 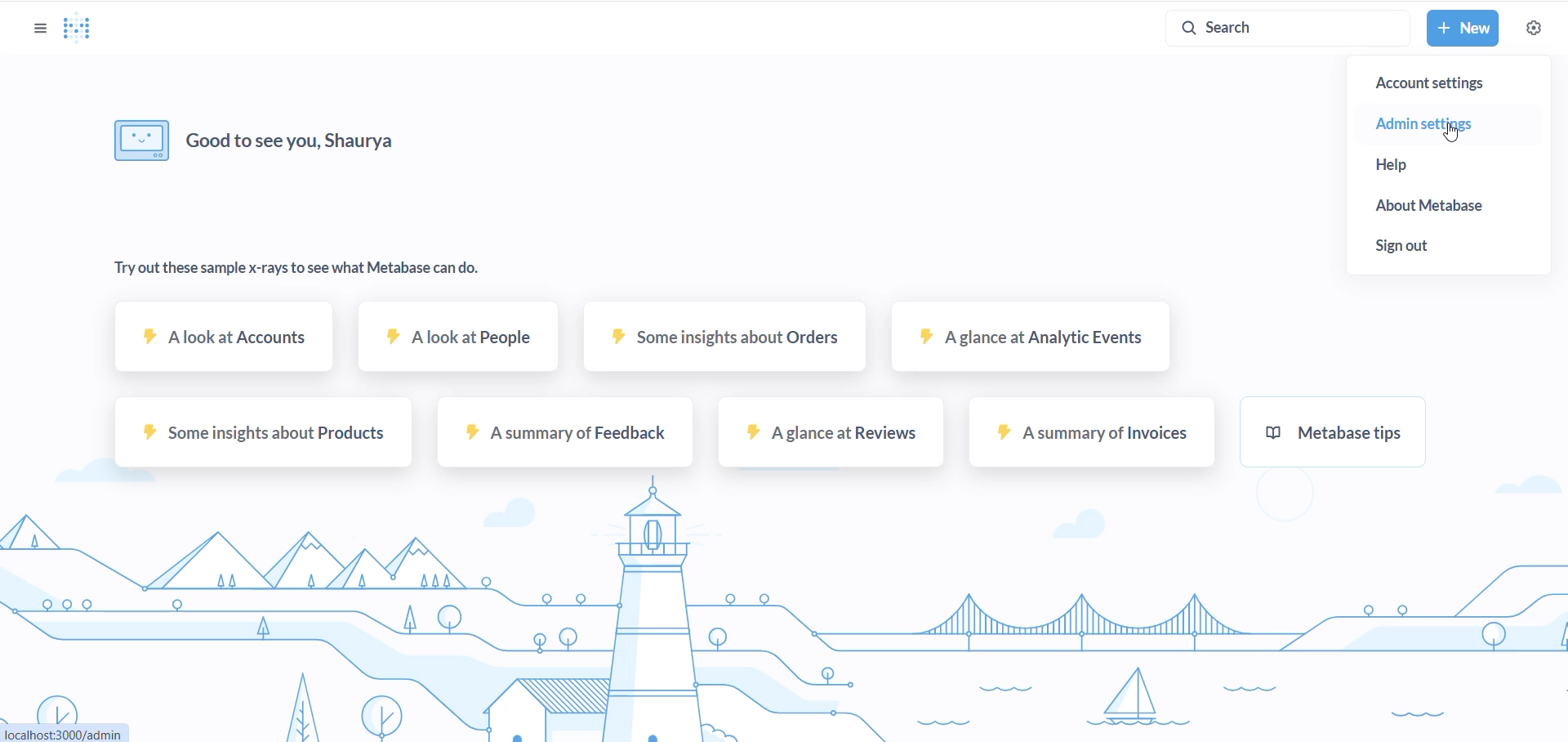 What do you see at coordinates (1086, 441) in the screenshot?
I see `A summary of Invoices sample` at bounding box center [1086, 441].